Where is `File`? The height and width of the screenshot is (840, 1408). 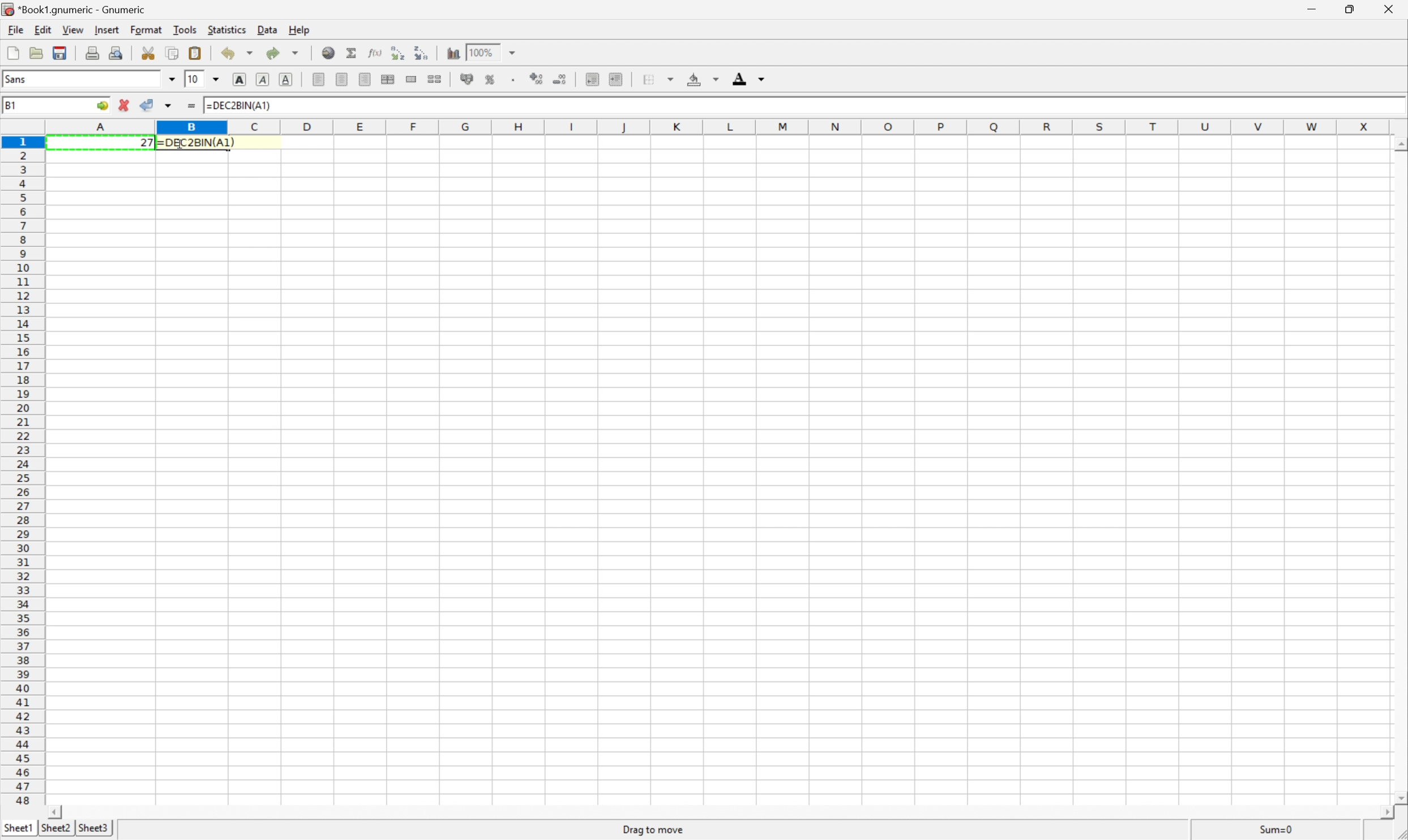 File is located at coordinates (15, 29).